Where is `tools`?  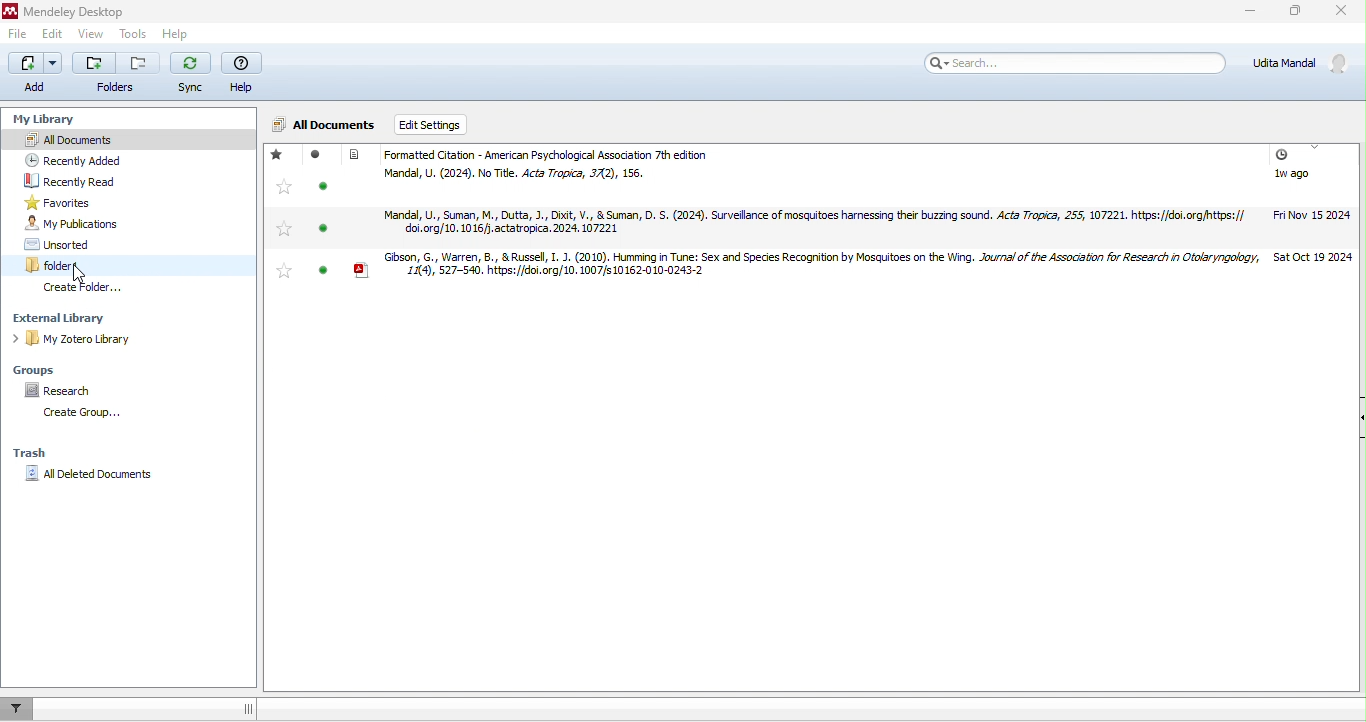 tools is located at coordinates (133, 32).